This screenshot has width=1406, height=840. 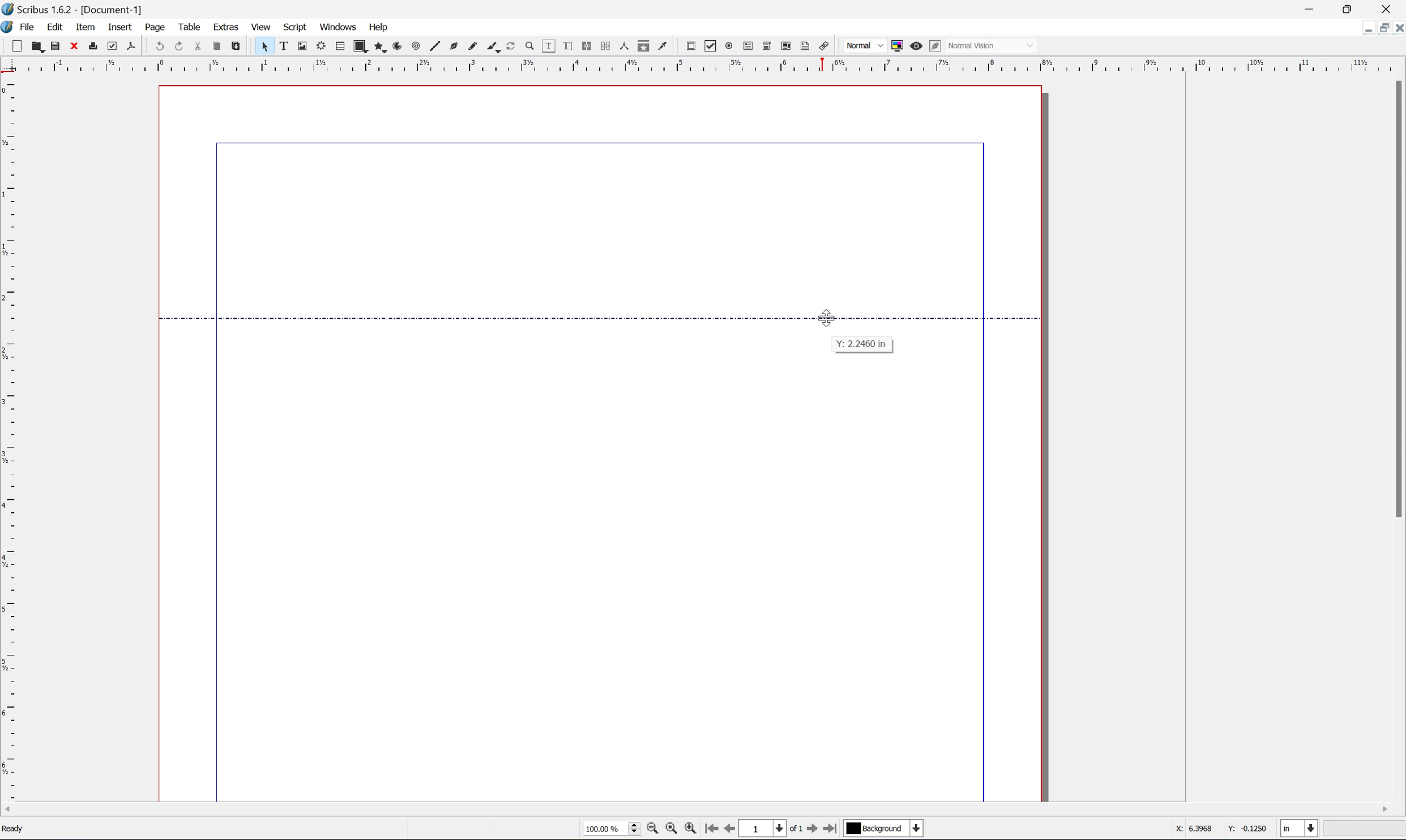 What do you see at coordinates (1314, 7) in the screenshot?
I see `minimize` at bounding box center [1314, 7].